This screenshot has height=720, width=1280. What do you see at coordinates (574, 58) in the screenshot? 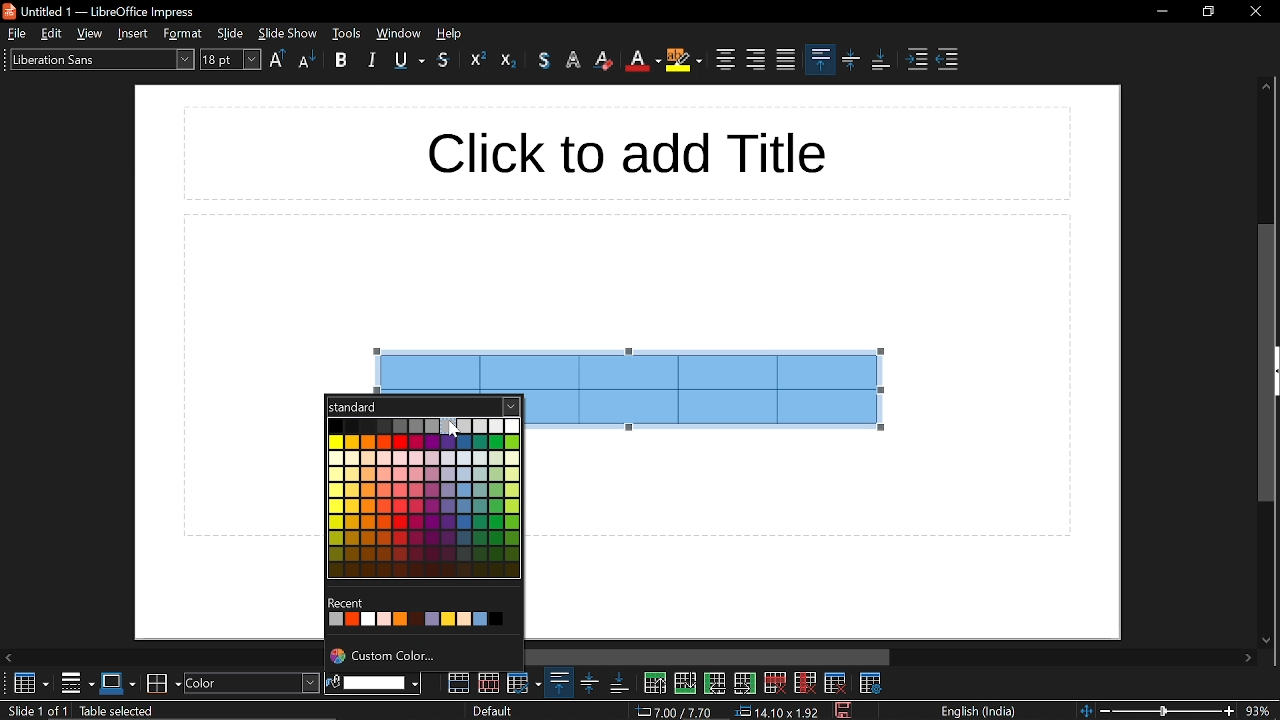
I see `highlight` at bounding box center [574, 58].